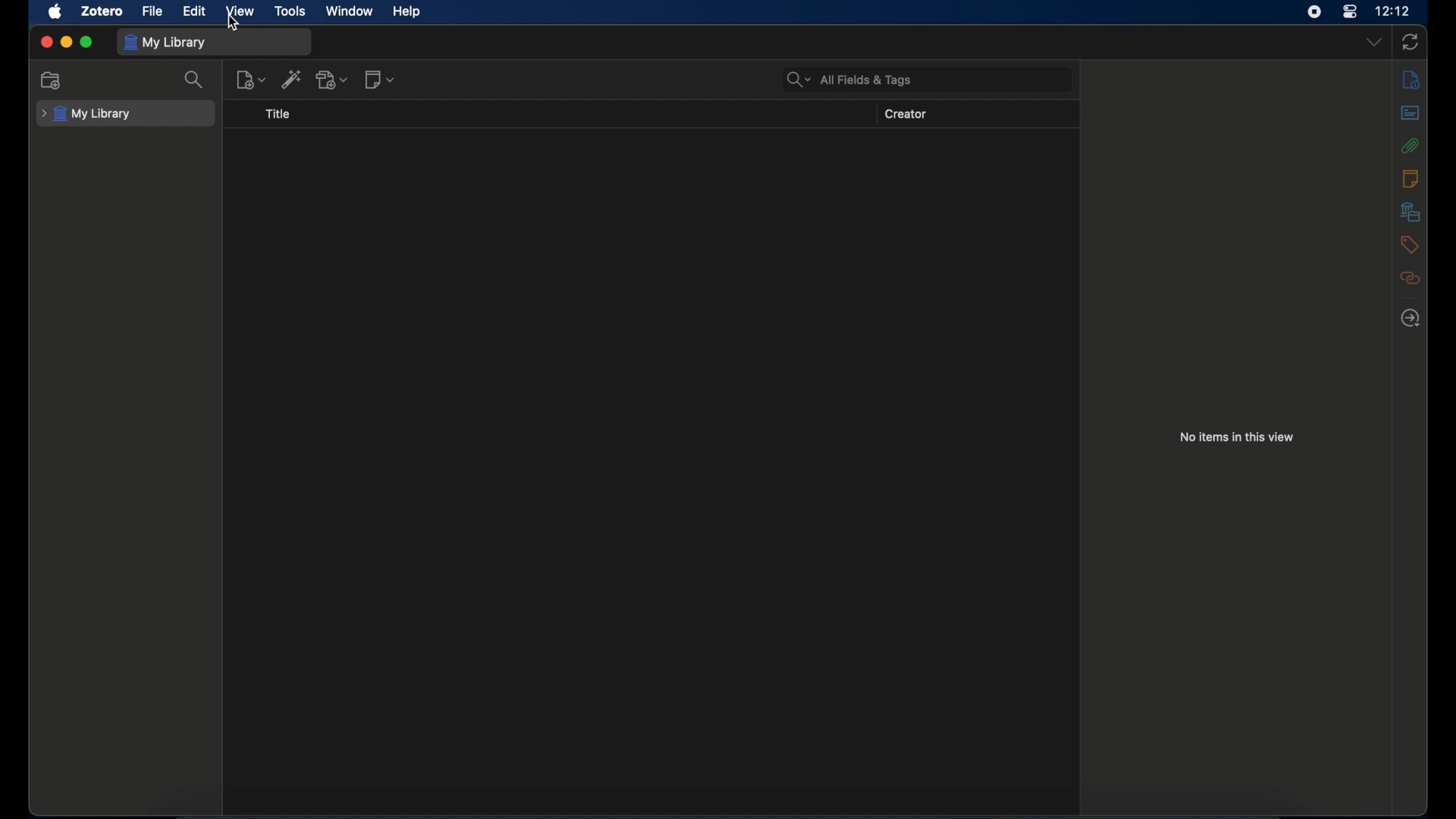 Image resolution: width=1456 pixels, height=819 pixels. I want to click on tools, so click(290, 12).